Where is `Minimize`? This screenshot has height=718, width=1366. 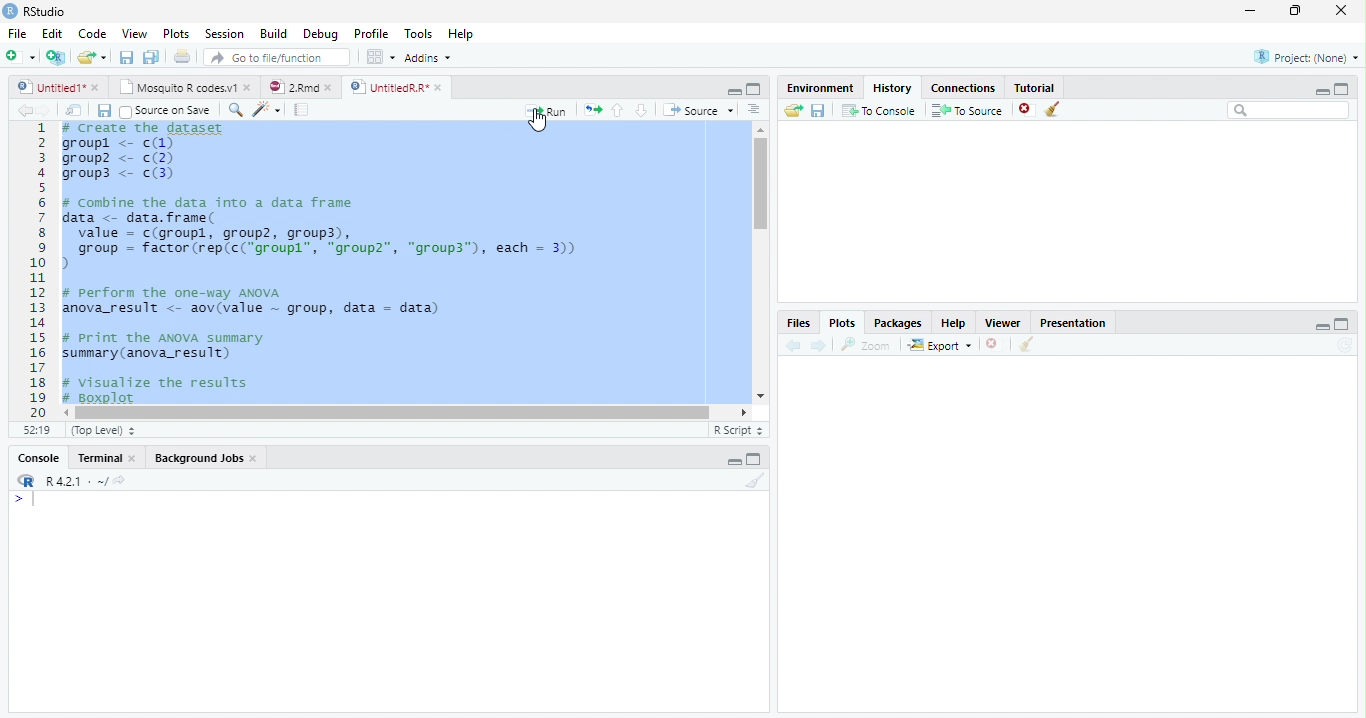 Minimize is located at coordinates (731, 90).